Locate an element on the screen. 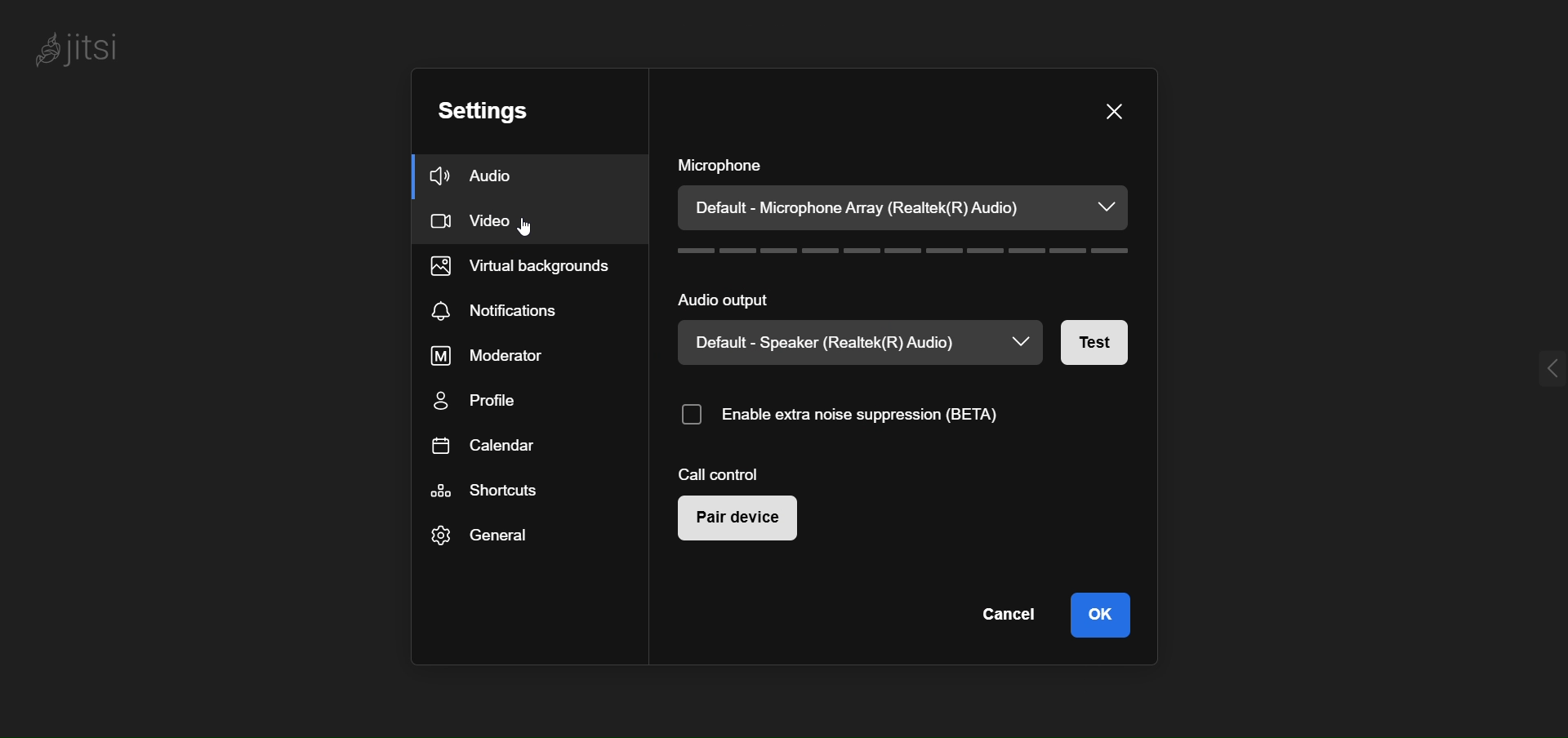  close dialog is located at coordinates (1118, 111).